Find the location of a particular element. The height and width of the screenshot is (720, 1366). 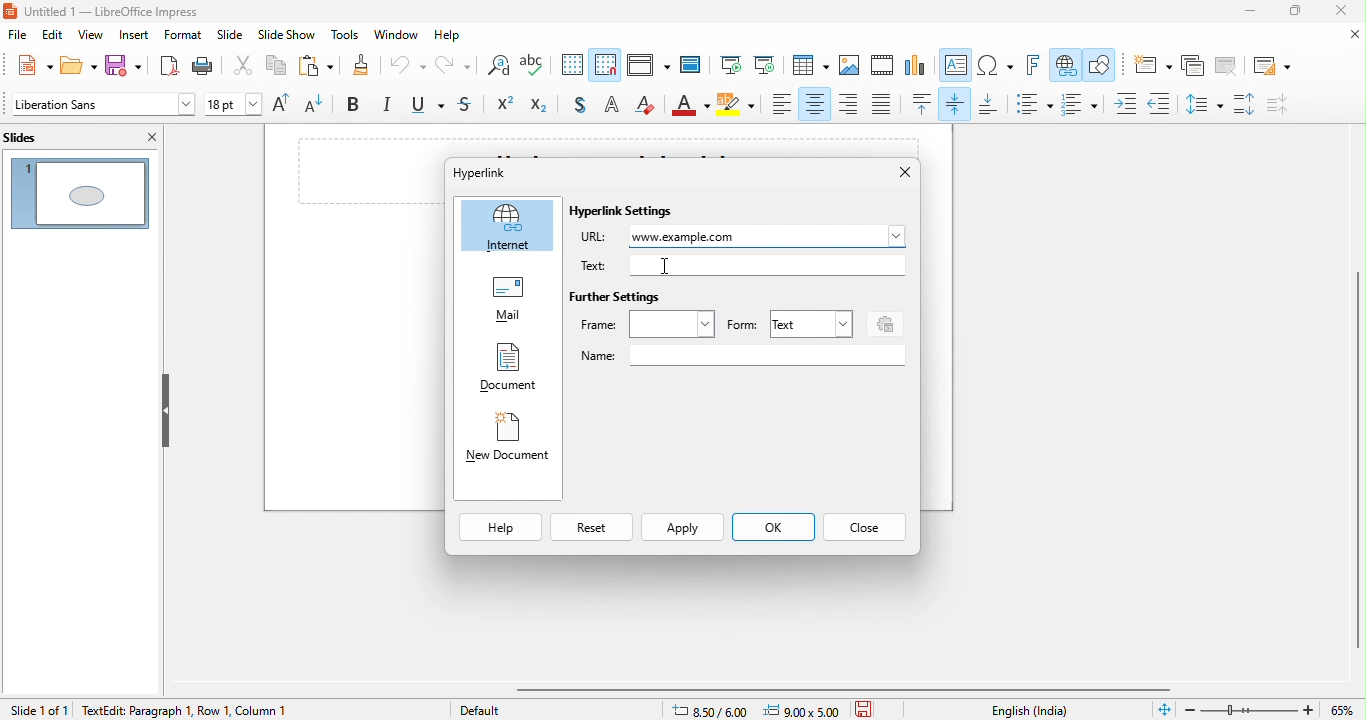

slide layout is located at coordinates (1269, 64).